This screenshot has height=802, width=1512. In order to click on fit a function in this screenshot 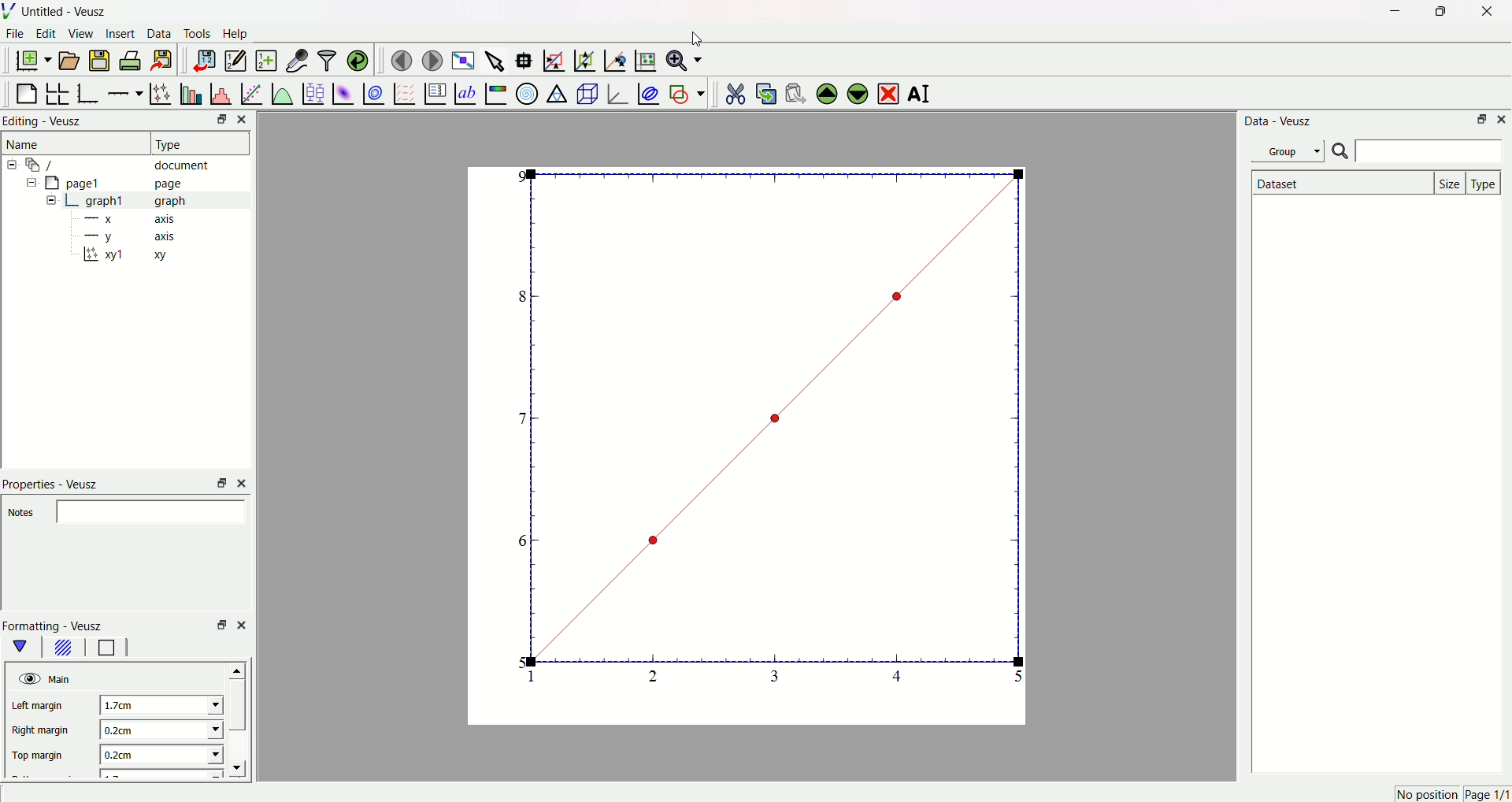, I will do `click(250, 92)`.